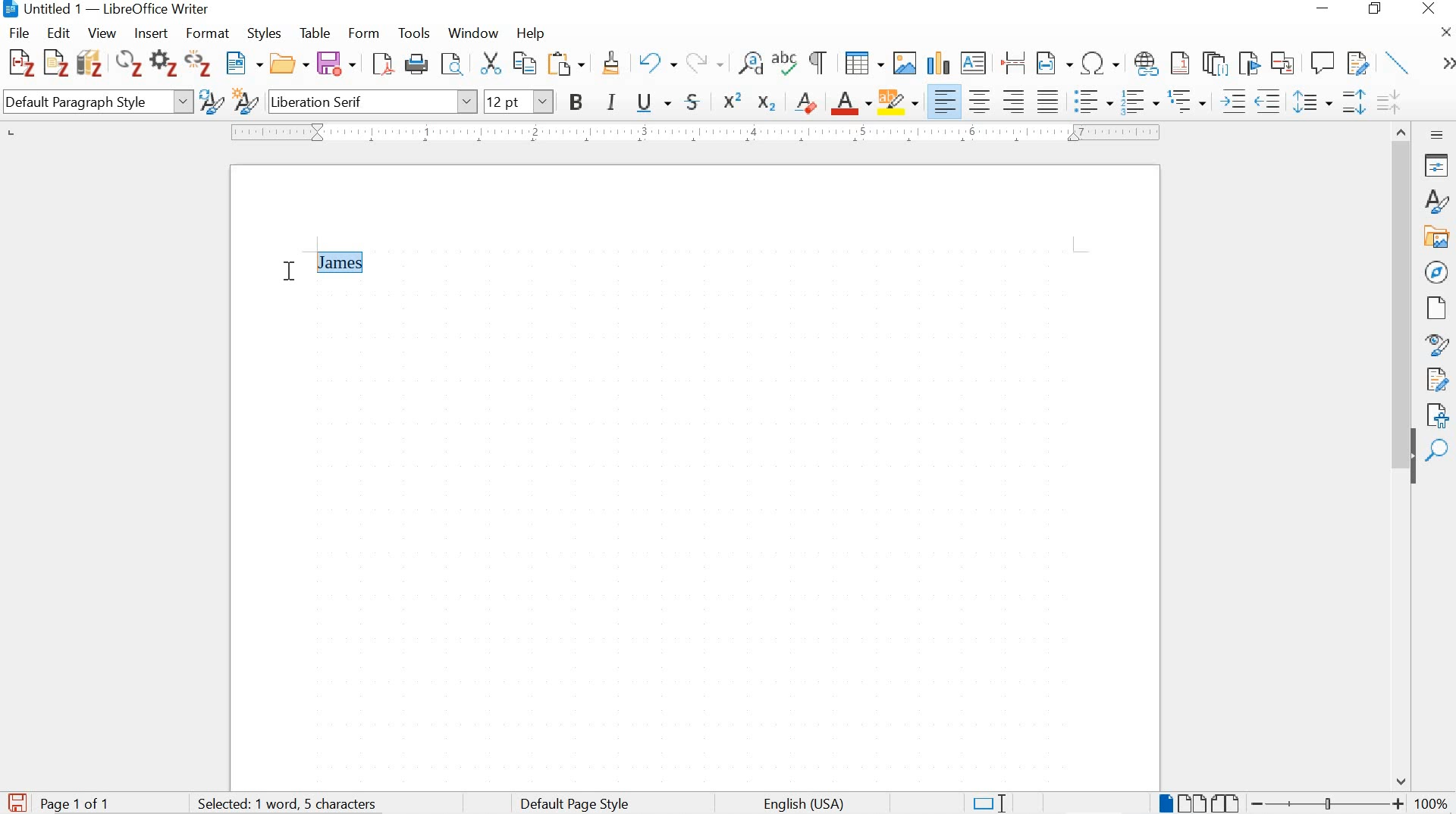  I want to click on insert line, so click(1398, 62).